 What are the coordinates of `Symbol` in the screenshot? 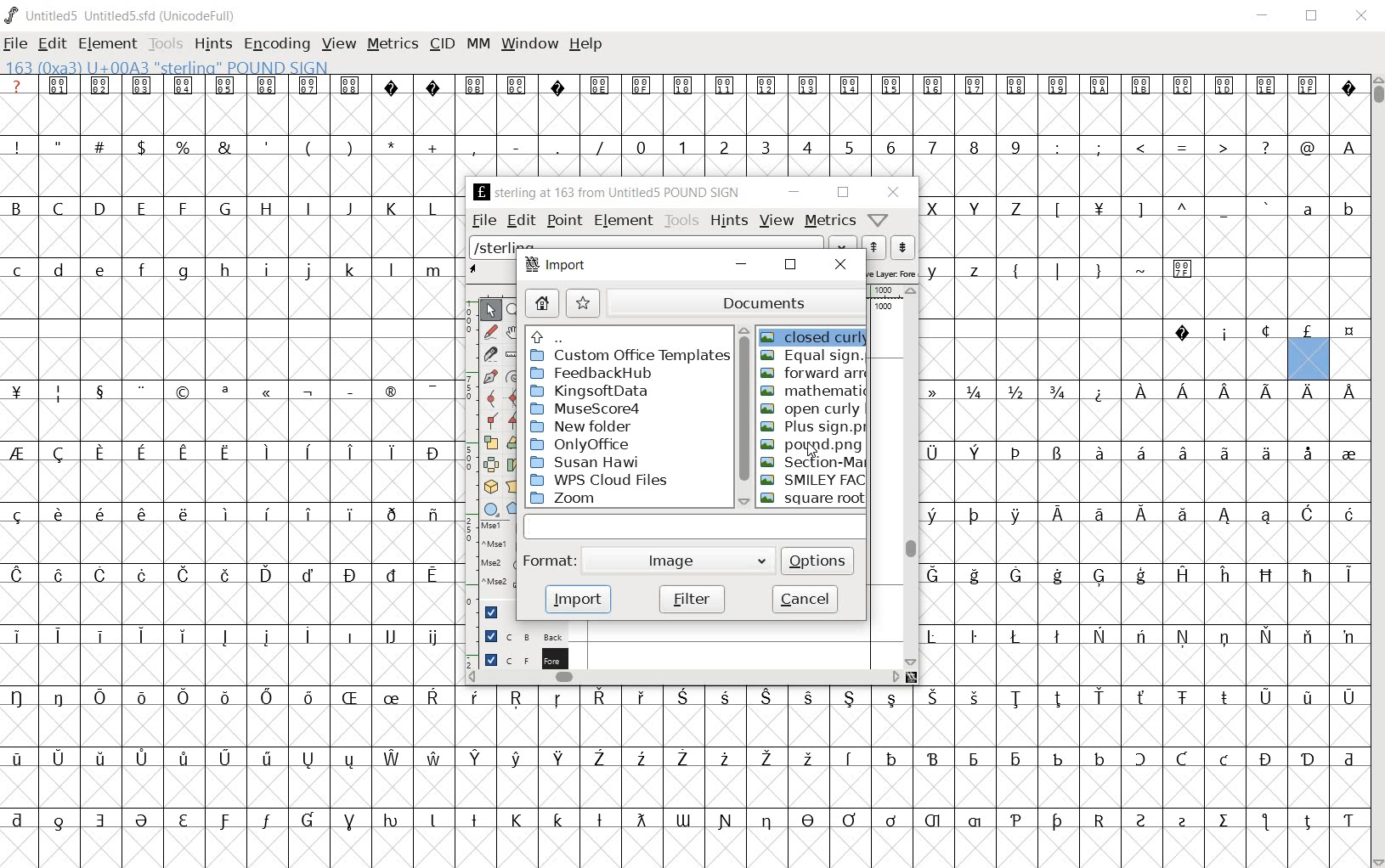 It's located at (766, 822).